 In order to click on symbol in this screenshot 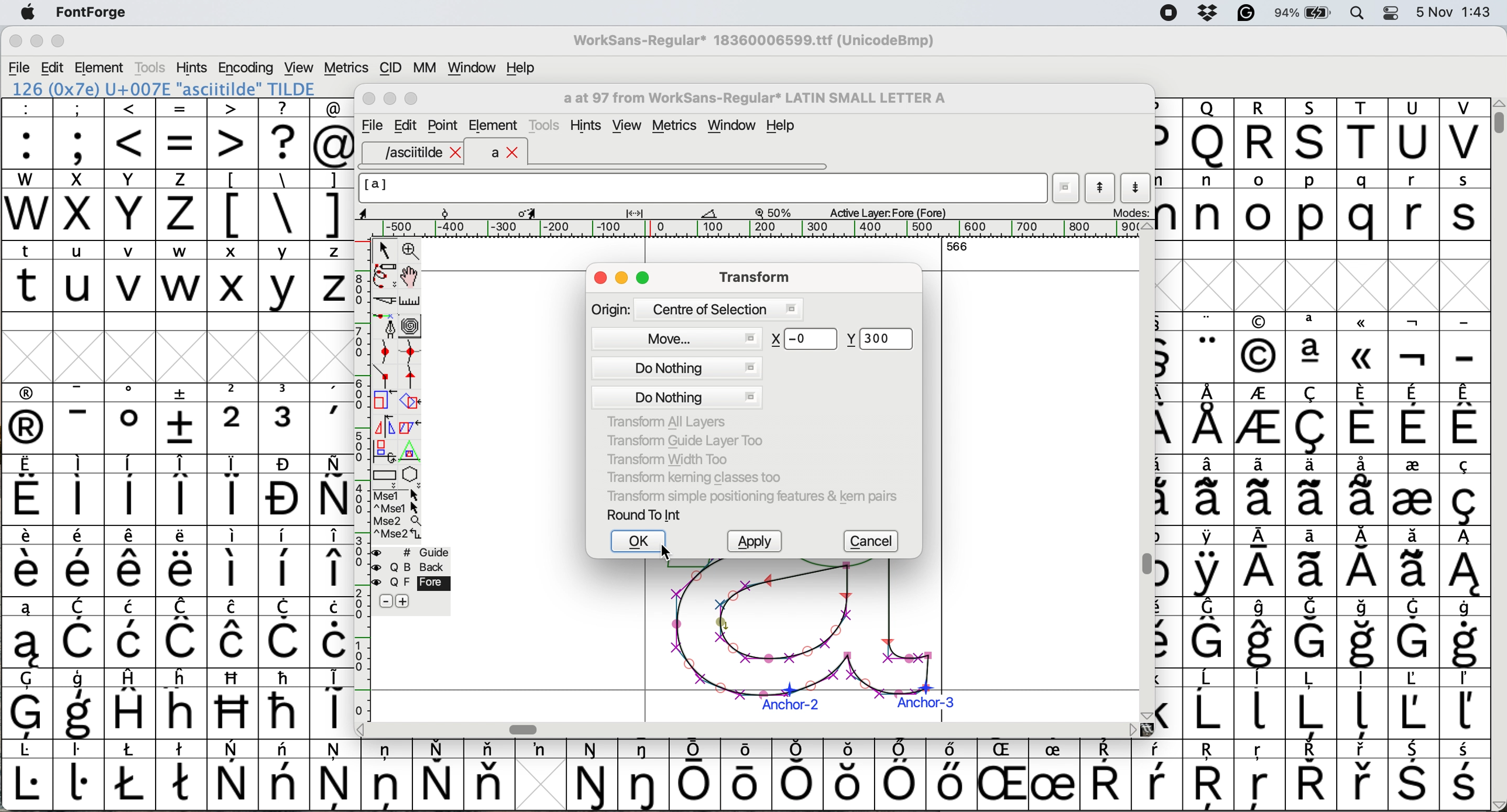, I will do `click(1364, 562)`.